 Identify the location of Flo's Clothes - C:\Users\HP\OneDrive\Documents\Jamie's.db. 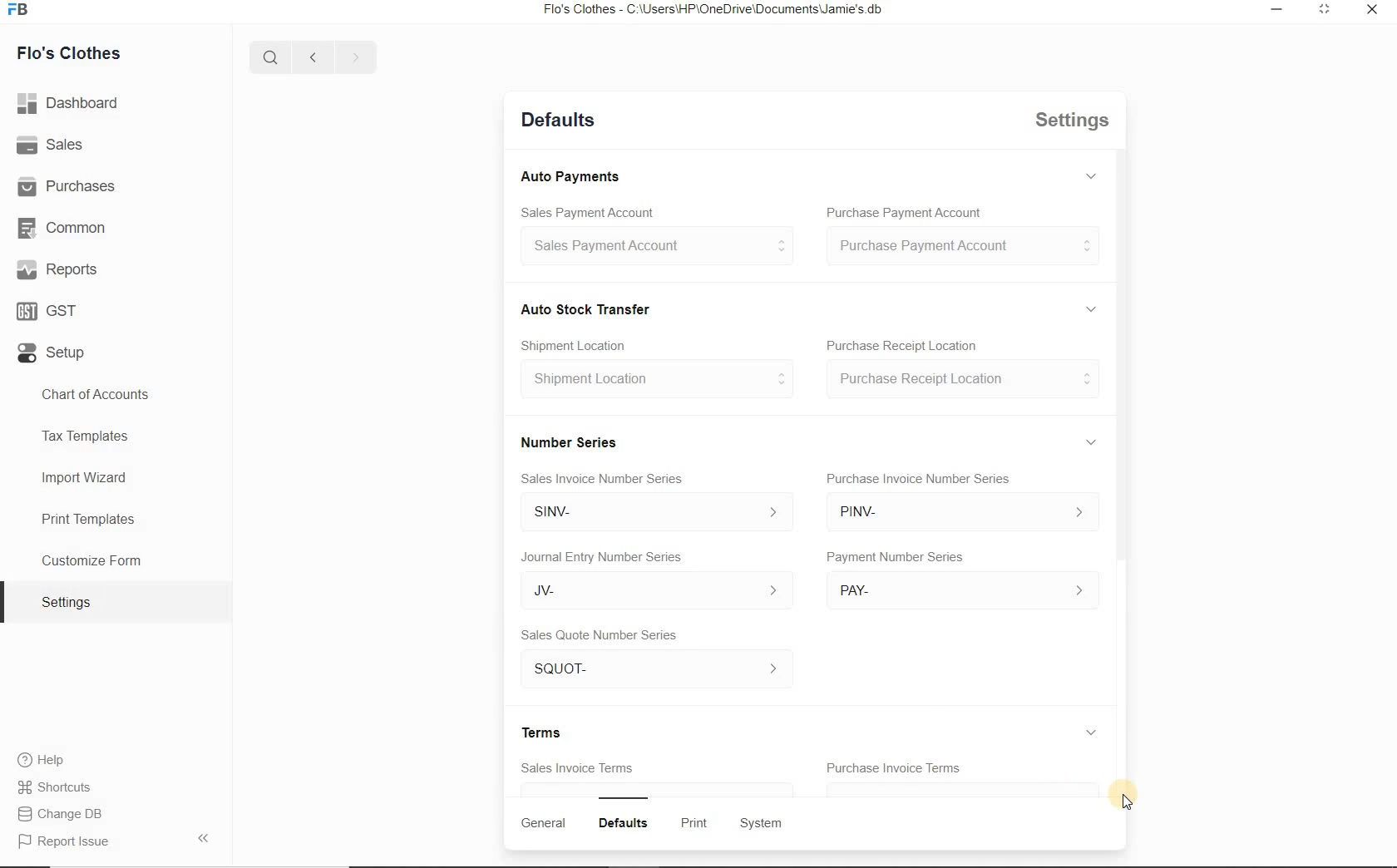
(718, 11).